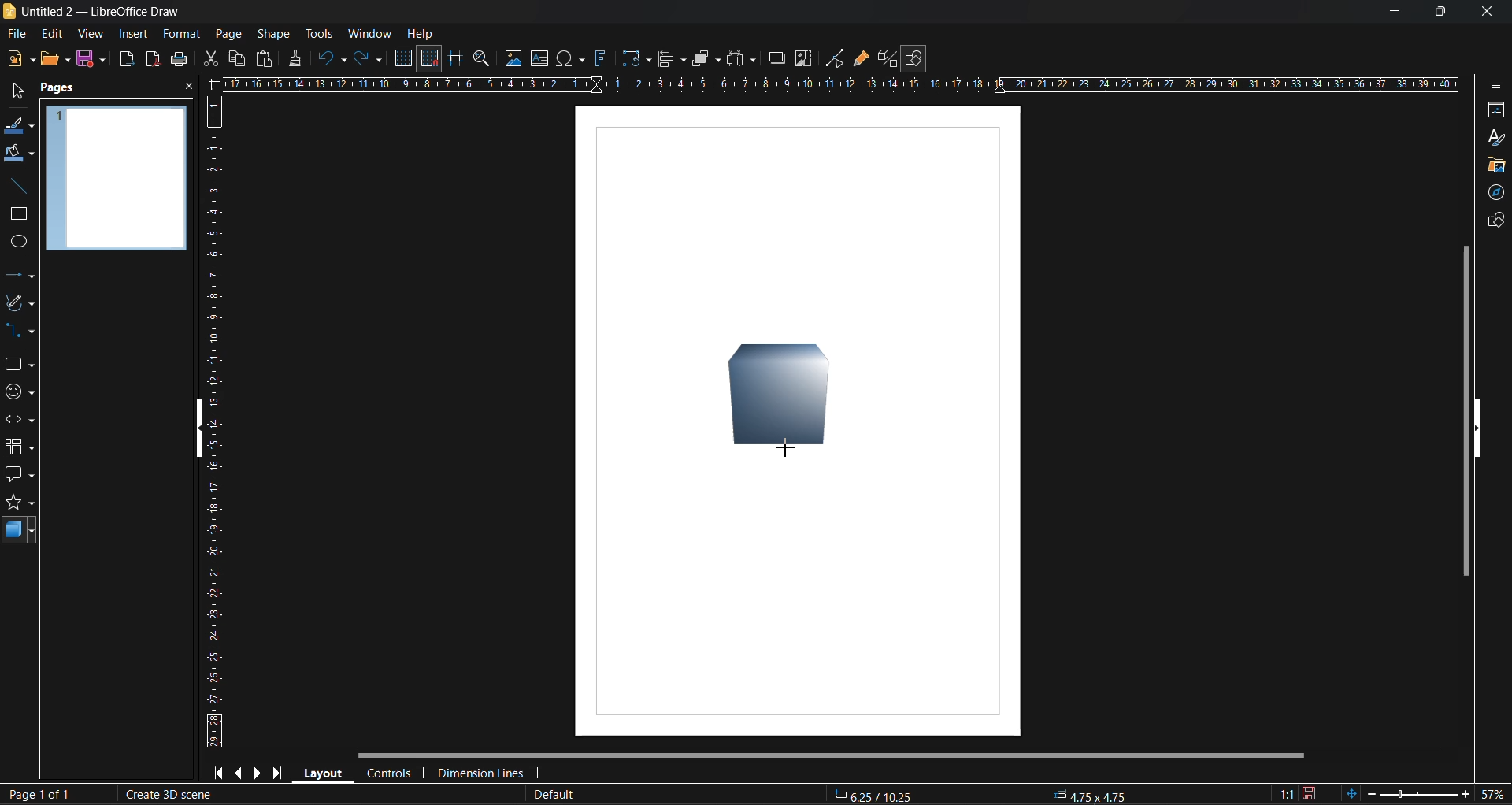 The image size is (1512, 805). What do you see at coordinates (319, 33) in the screenshot?
I see `tools` at bounding box center [319, 33].